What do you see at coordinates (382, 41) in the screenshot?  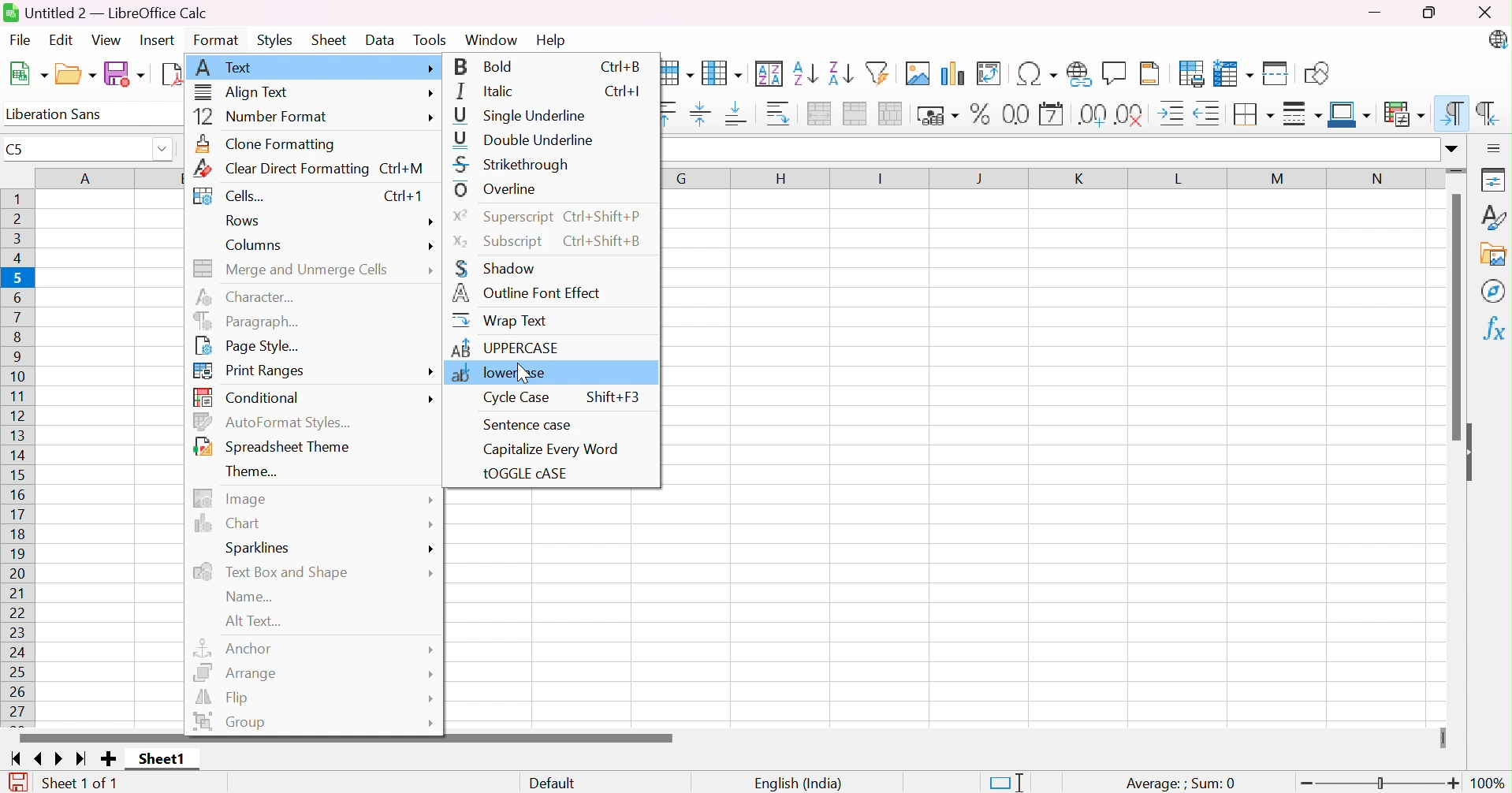 I see `Data` at bounding box center [382, 41].